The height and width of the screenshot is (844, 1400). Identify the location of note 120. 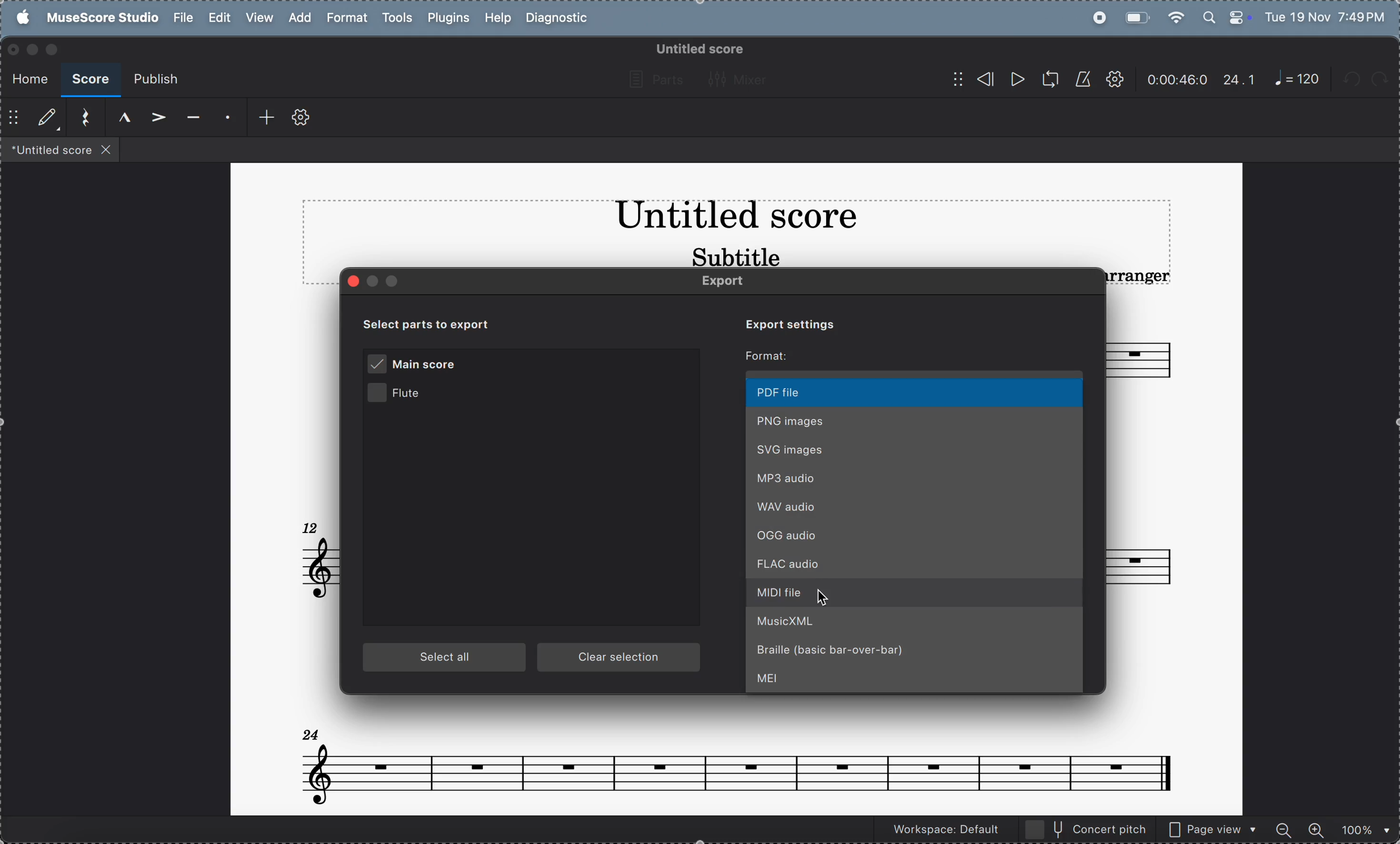
(1297, 80).